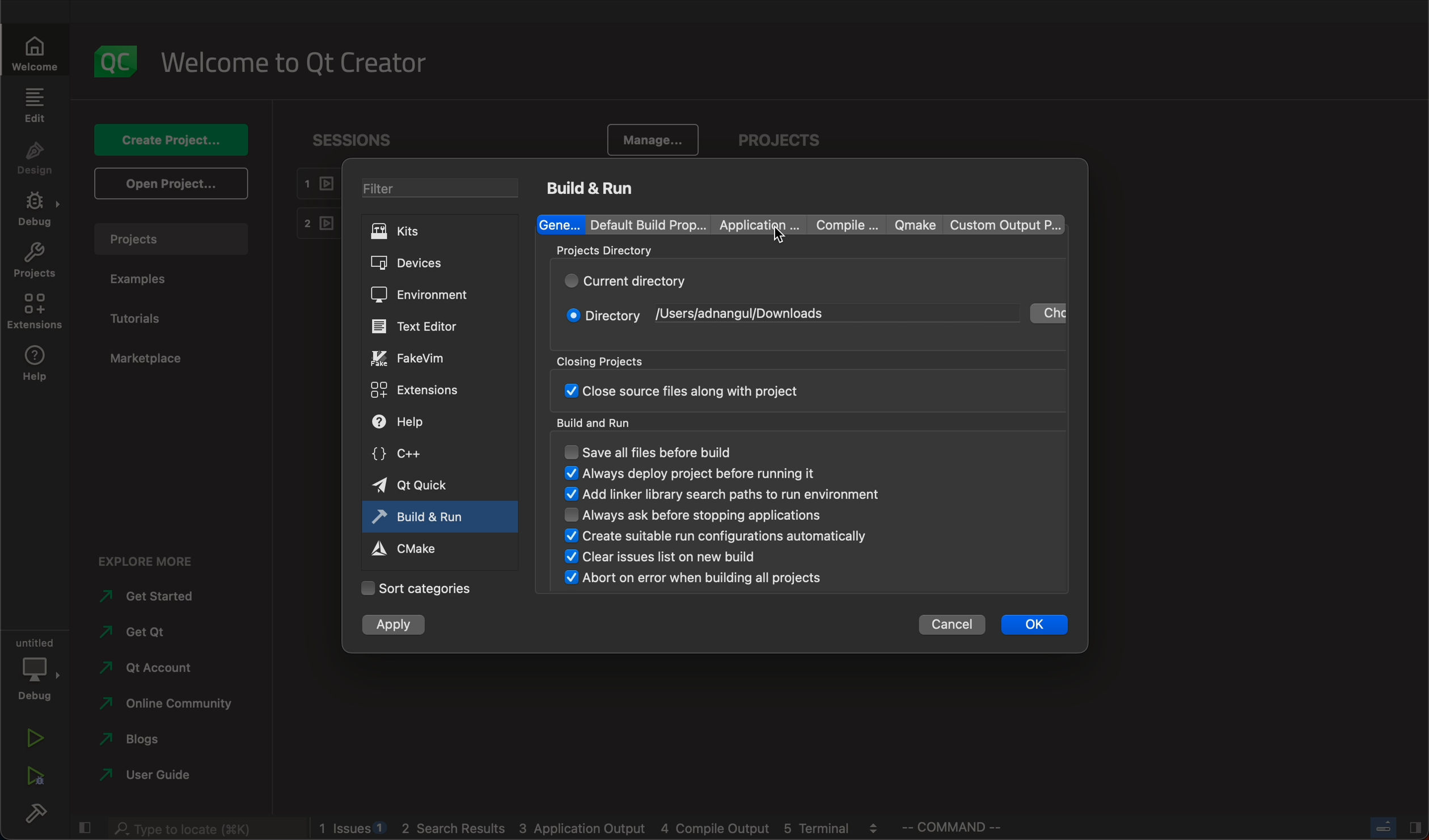  I want to click on projects, so click(170, 239).